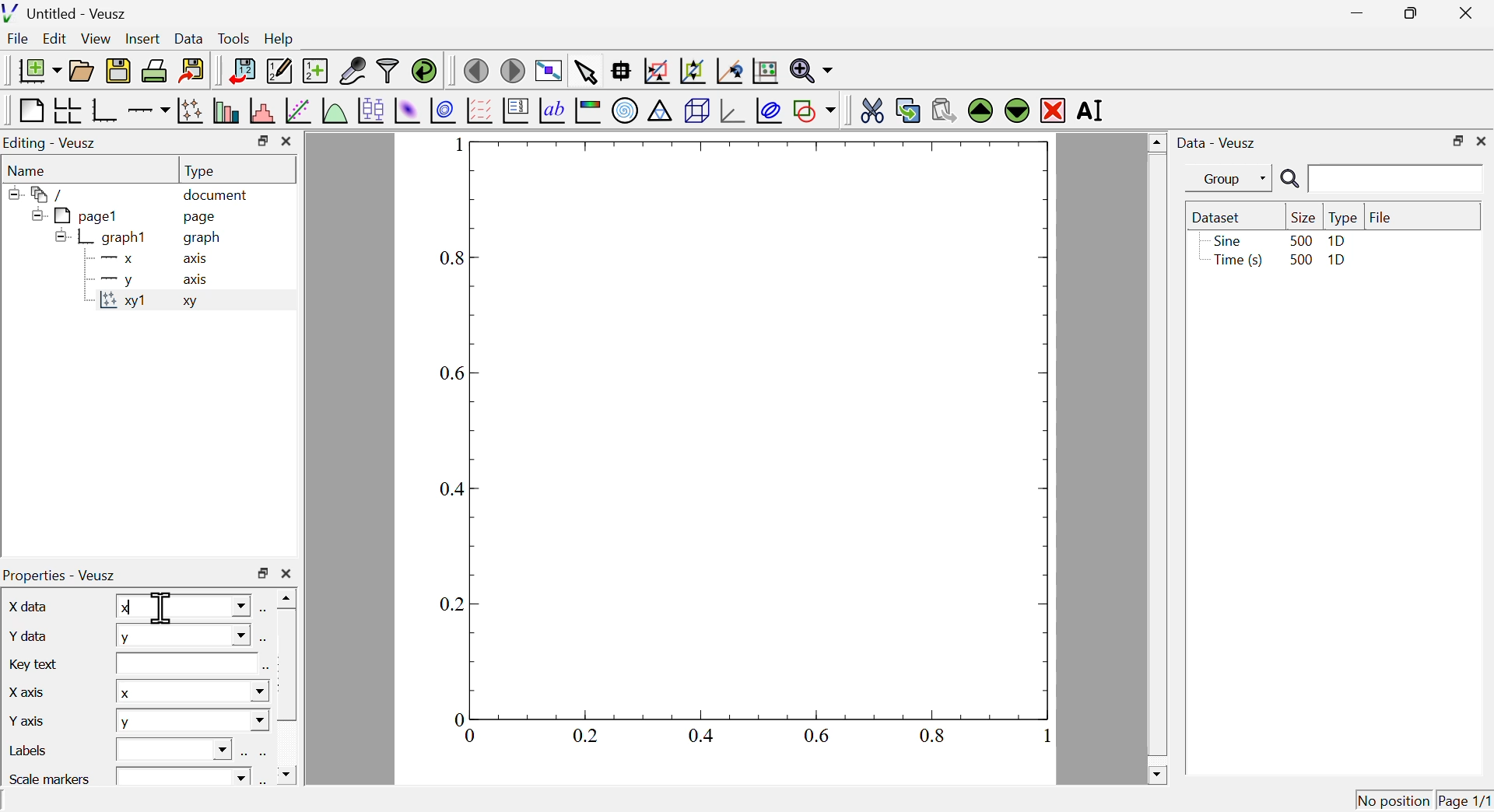  I want to click on scrollbar, so click(287, 688).